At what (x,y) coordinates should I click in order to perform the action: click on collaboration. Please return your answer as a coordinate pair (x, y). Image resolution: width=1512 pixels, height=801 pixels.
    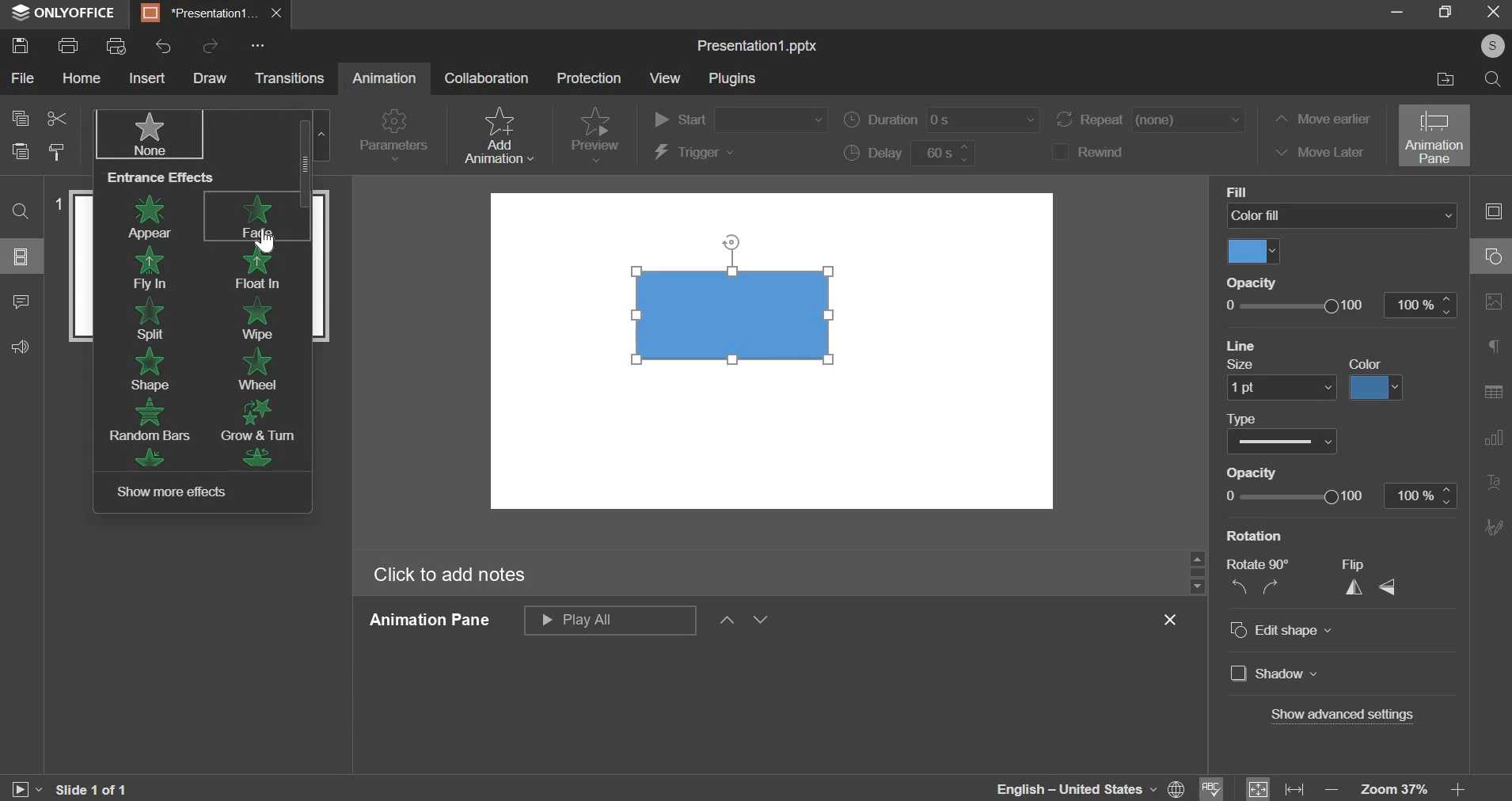
    Looking at the image, I should click on (488, 78).